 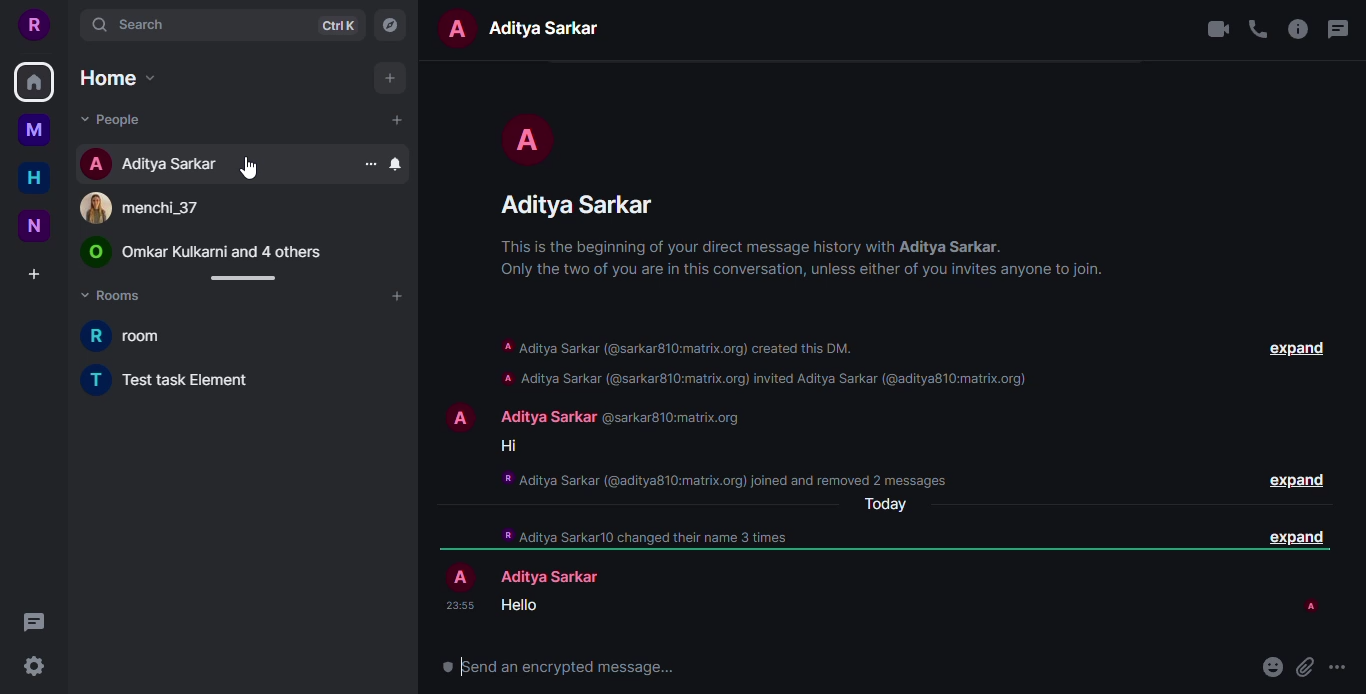 What do you see at coordinates (116, 298) in the screenshot?
I see `rooms` at bounding box center [116, 298].